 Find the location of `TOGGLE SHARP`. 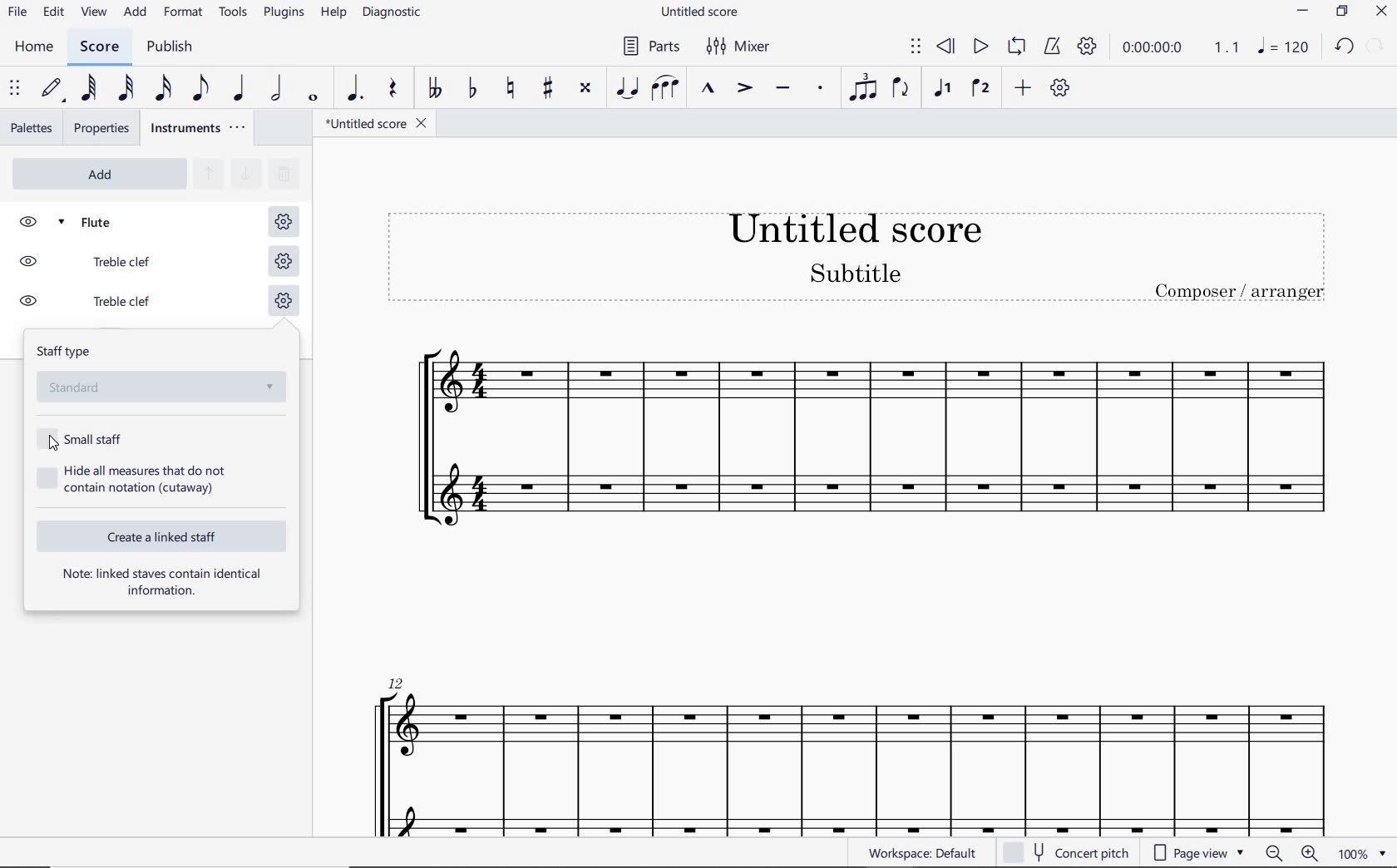

TOGGLE SHARP is located at coordinates (545, 87).